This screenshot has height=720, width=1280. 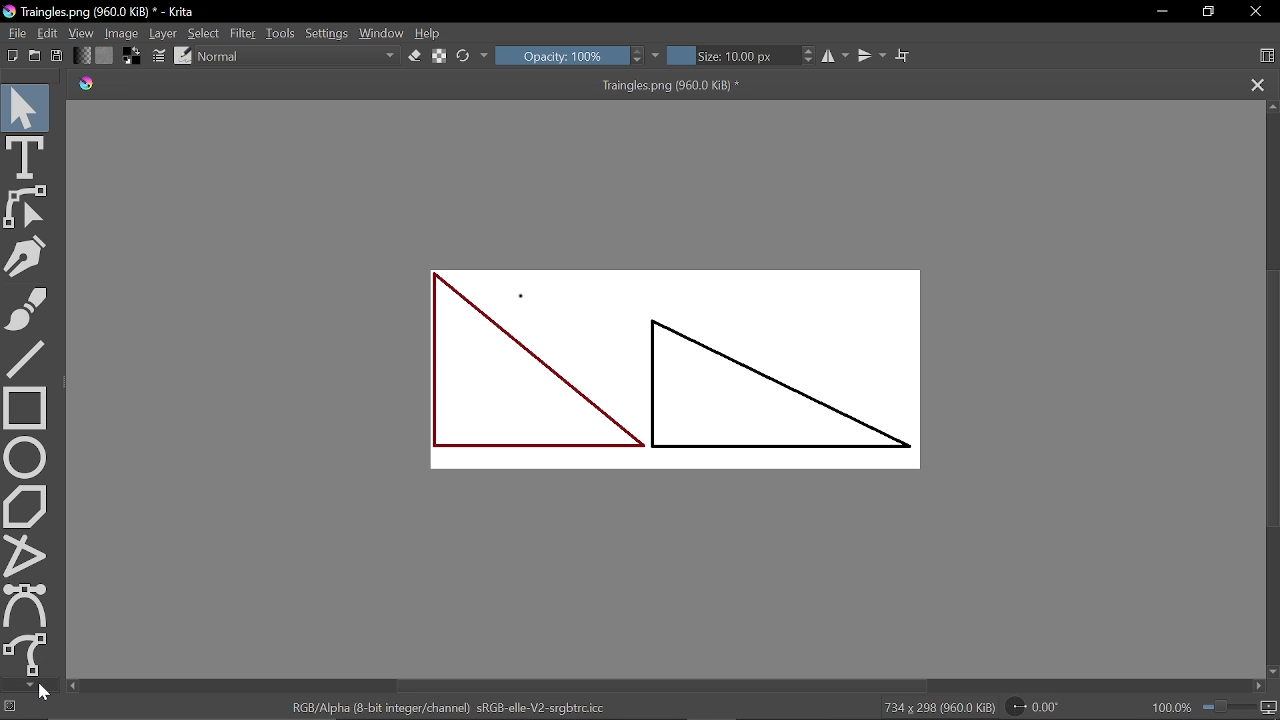 I want to click on Line tool, so click(x=29, y=357).